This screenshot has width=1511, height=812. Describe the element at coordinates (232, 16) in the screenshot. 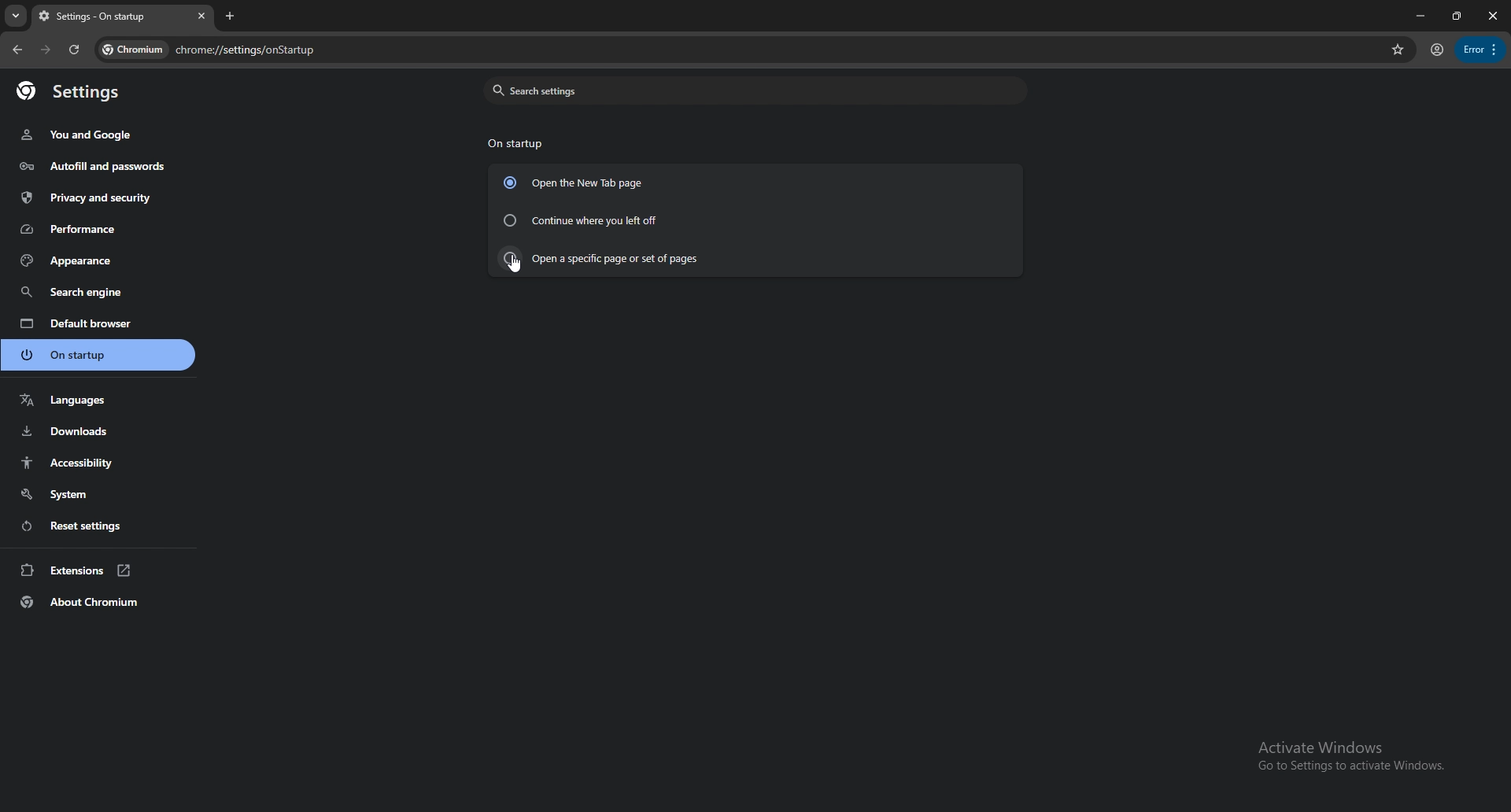

I see `add tab` at that location.